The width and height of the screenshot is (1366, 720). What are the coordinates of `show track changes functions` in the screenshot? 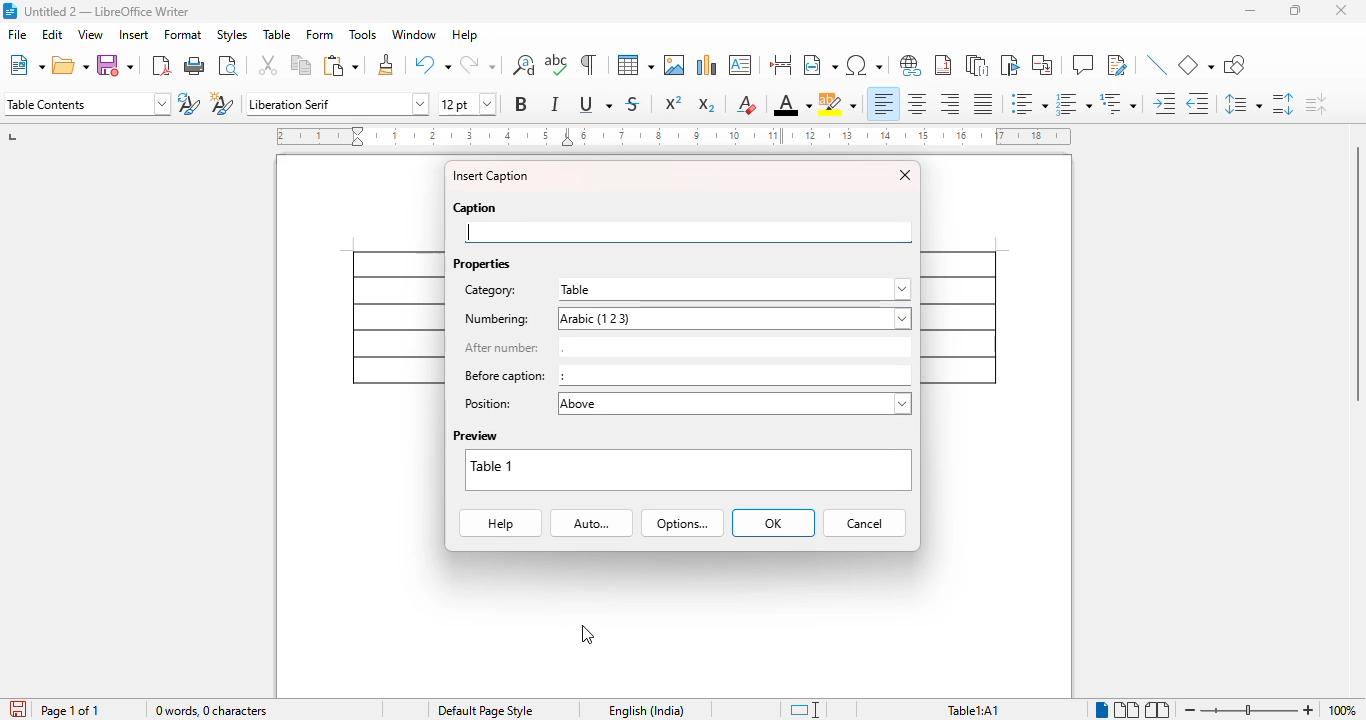 It's located at (1118, 64).